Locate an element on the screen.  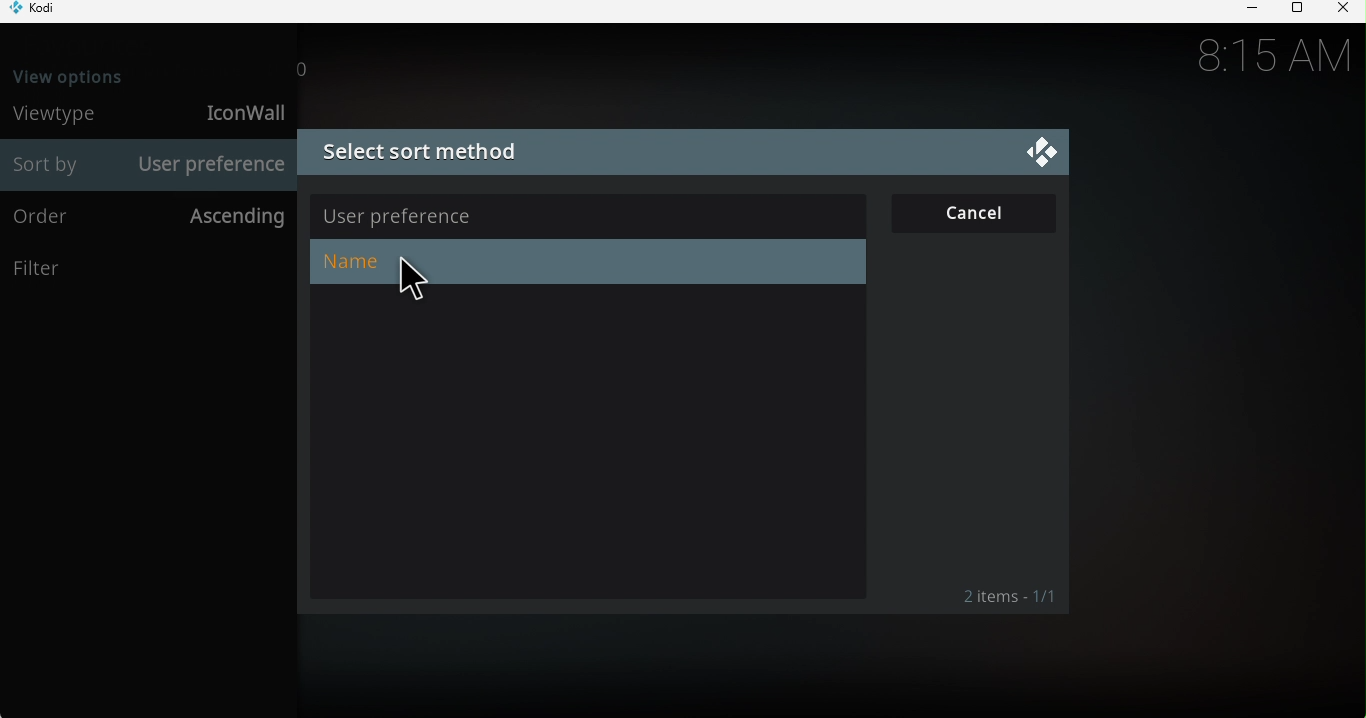
Order is located at coordinates (55, 218).